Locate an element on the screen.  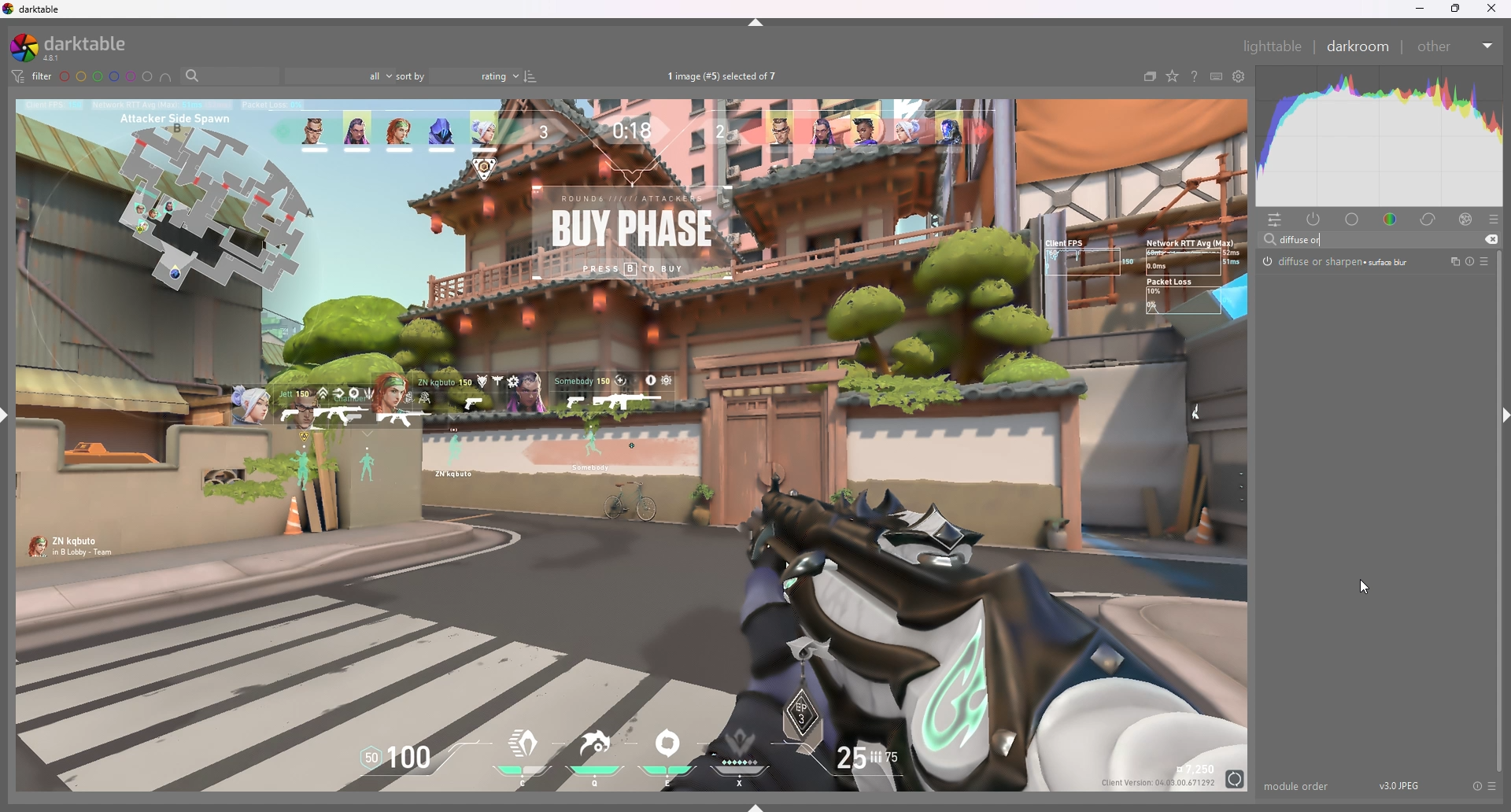
close is located at coordinates (1494, 7).